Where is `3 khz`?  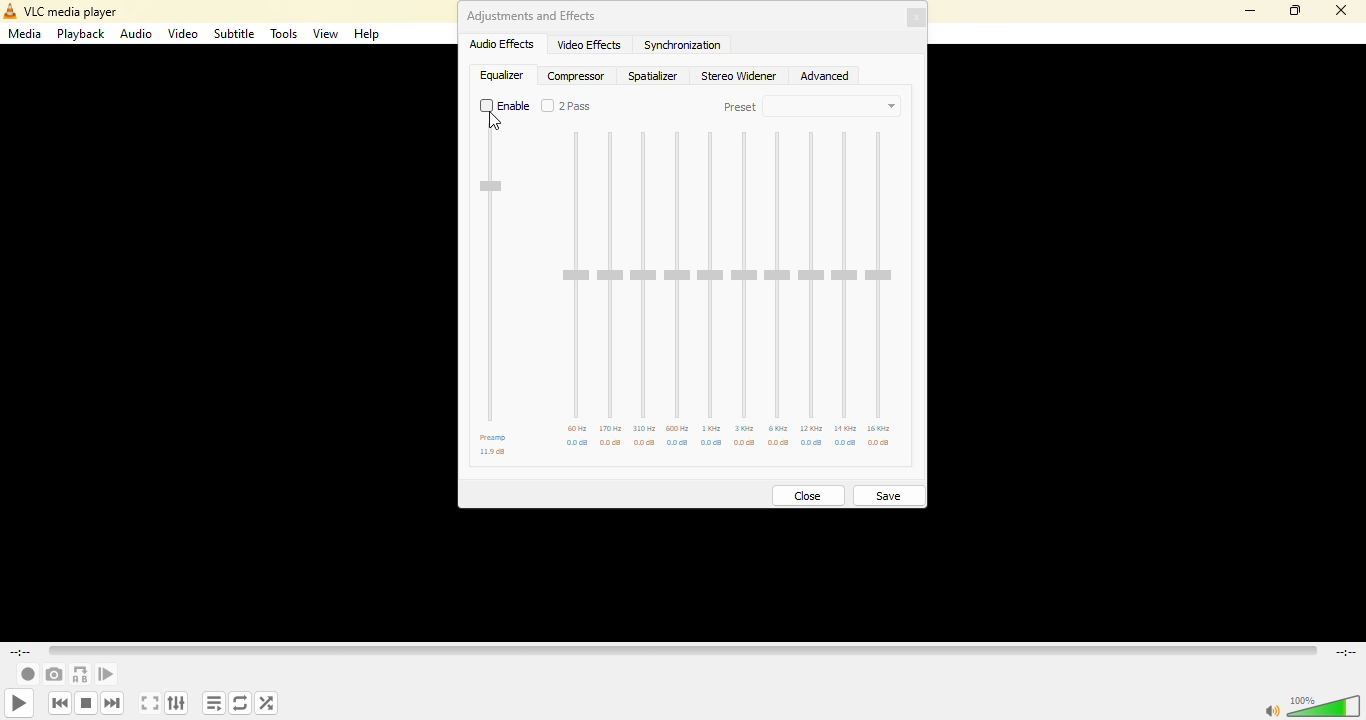 3 khz is located at coordinates (745, 428).